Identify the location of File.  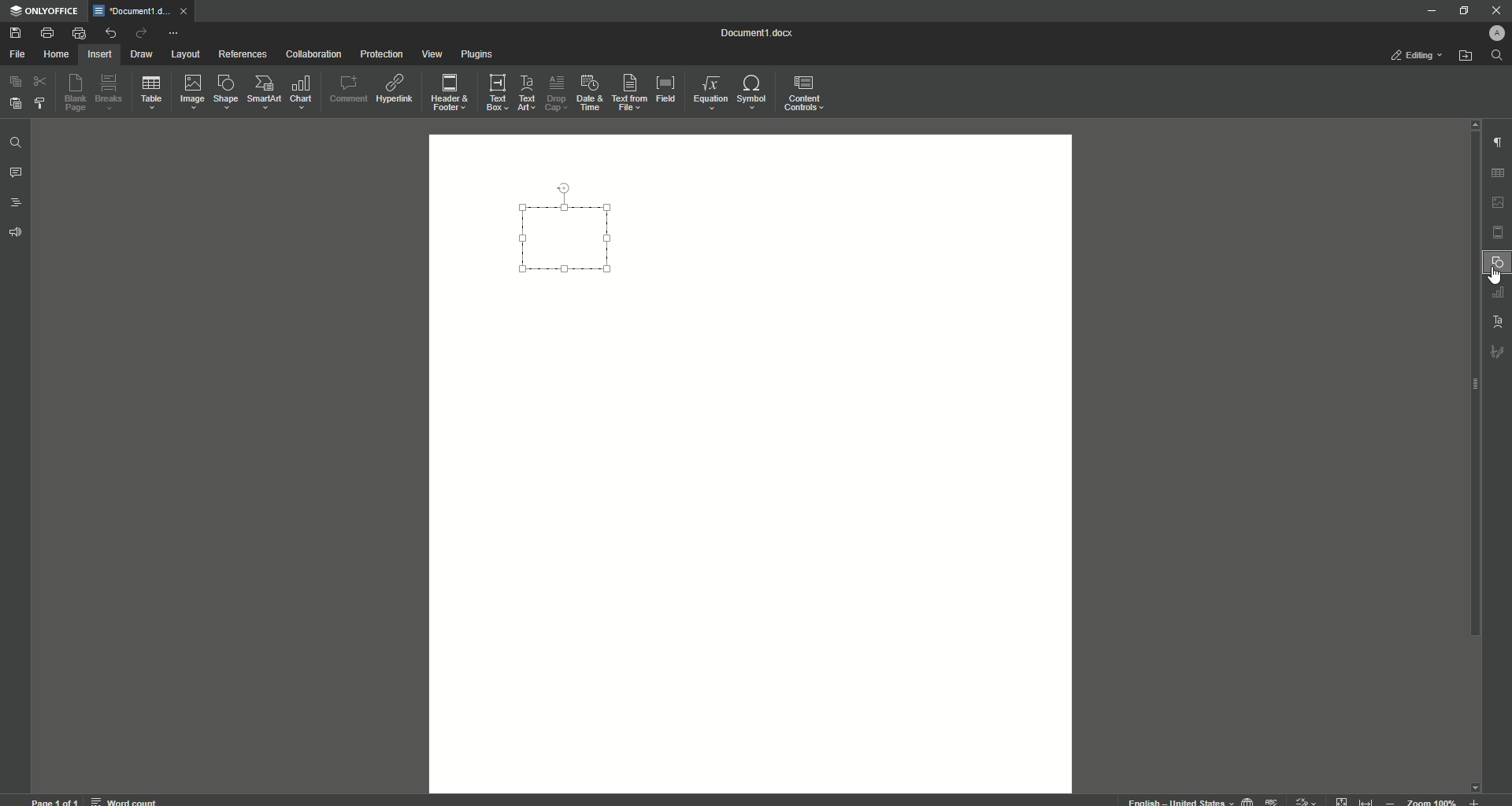
(17, 55).